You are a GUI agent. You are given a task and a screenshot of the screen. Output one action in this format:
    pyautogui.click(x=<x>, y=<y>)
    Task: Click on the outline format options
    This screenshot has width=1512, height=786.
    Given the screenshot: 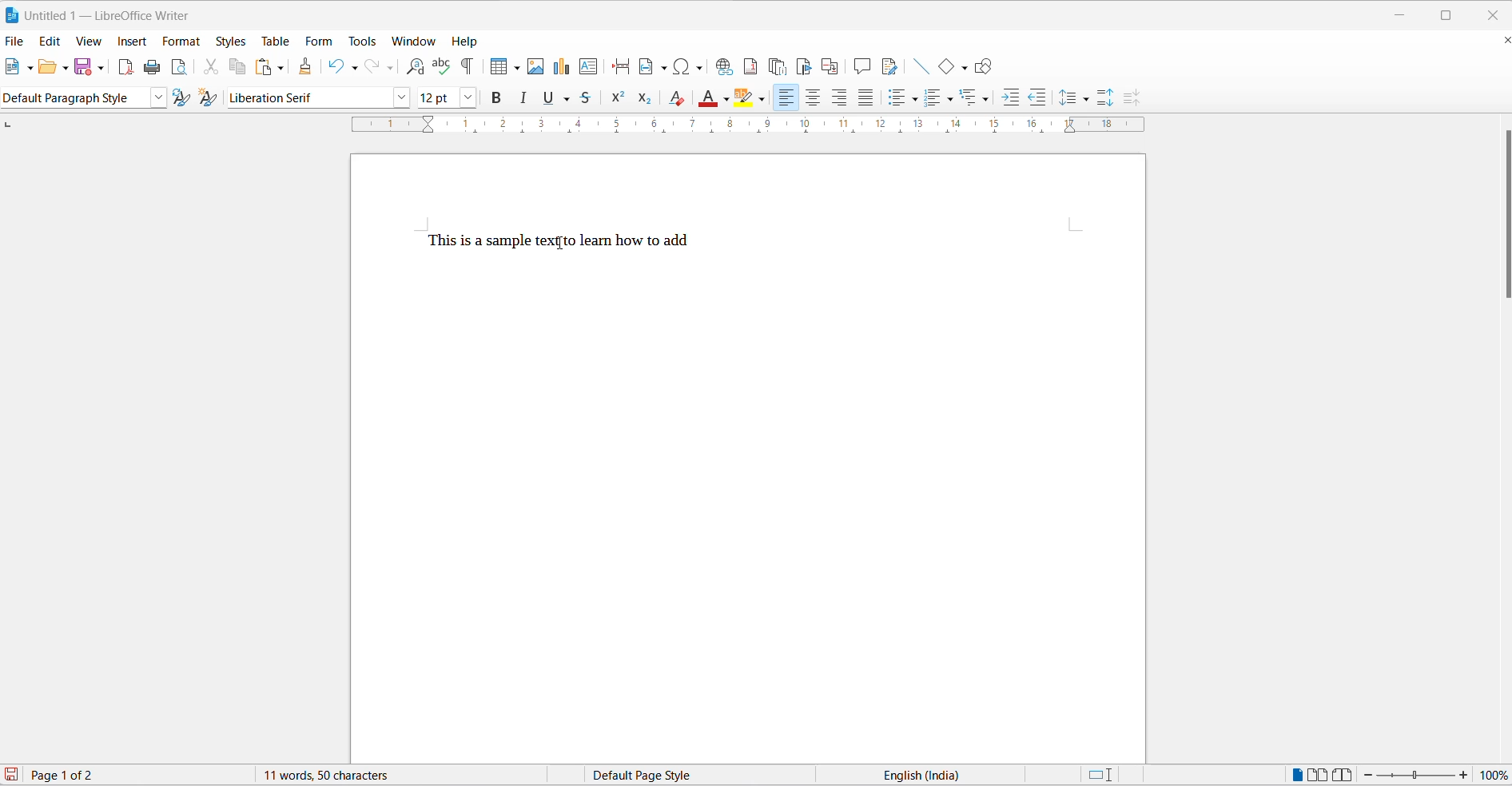 What is the action you would take?
    pyautogui.click(x=987, y=99)
    